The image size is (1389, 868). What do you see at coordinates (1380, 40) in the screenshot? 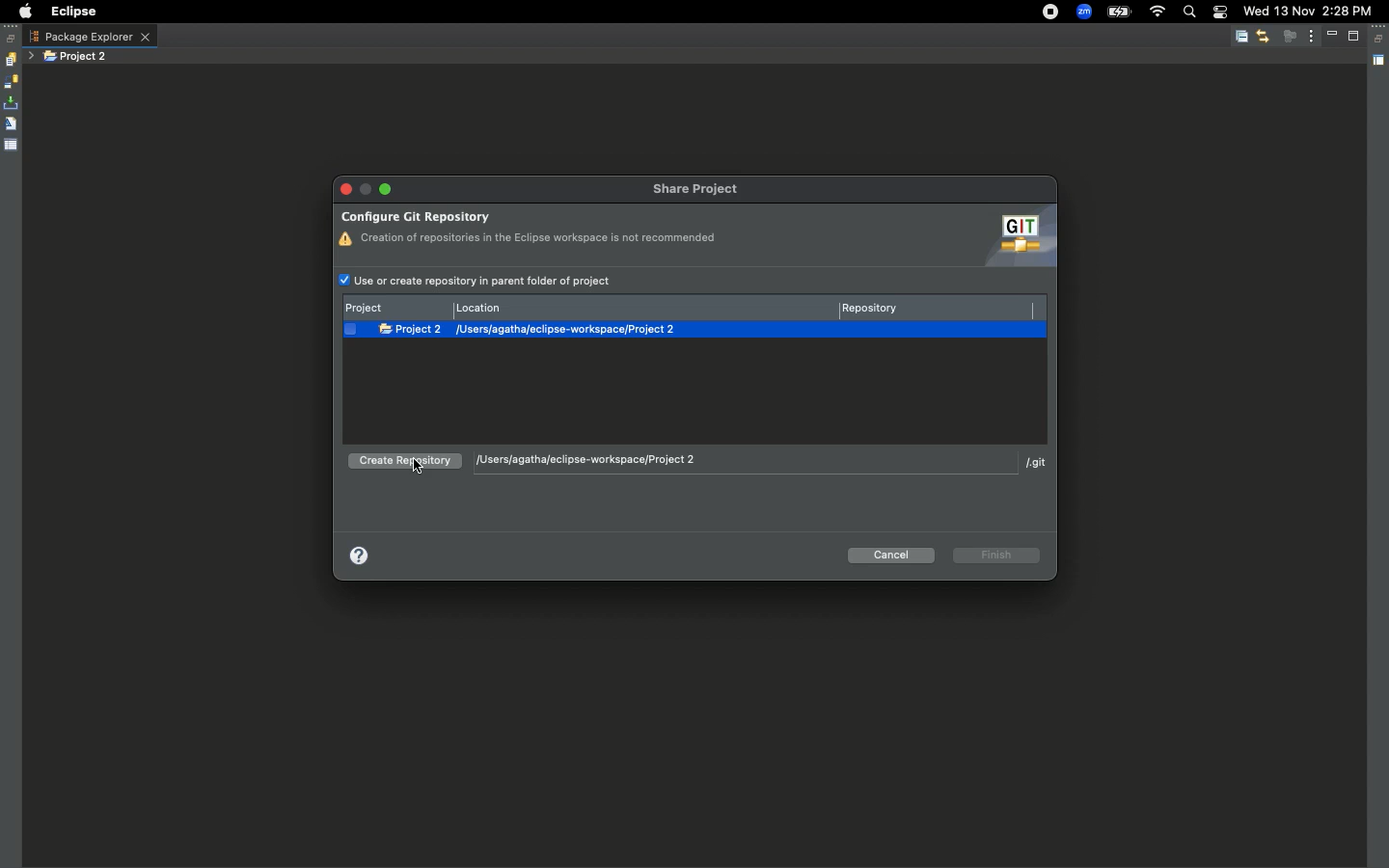
I see `Restore` at bounding box center [1380, 40].